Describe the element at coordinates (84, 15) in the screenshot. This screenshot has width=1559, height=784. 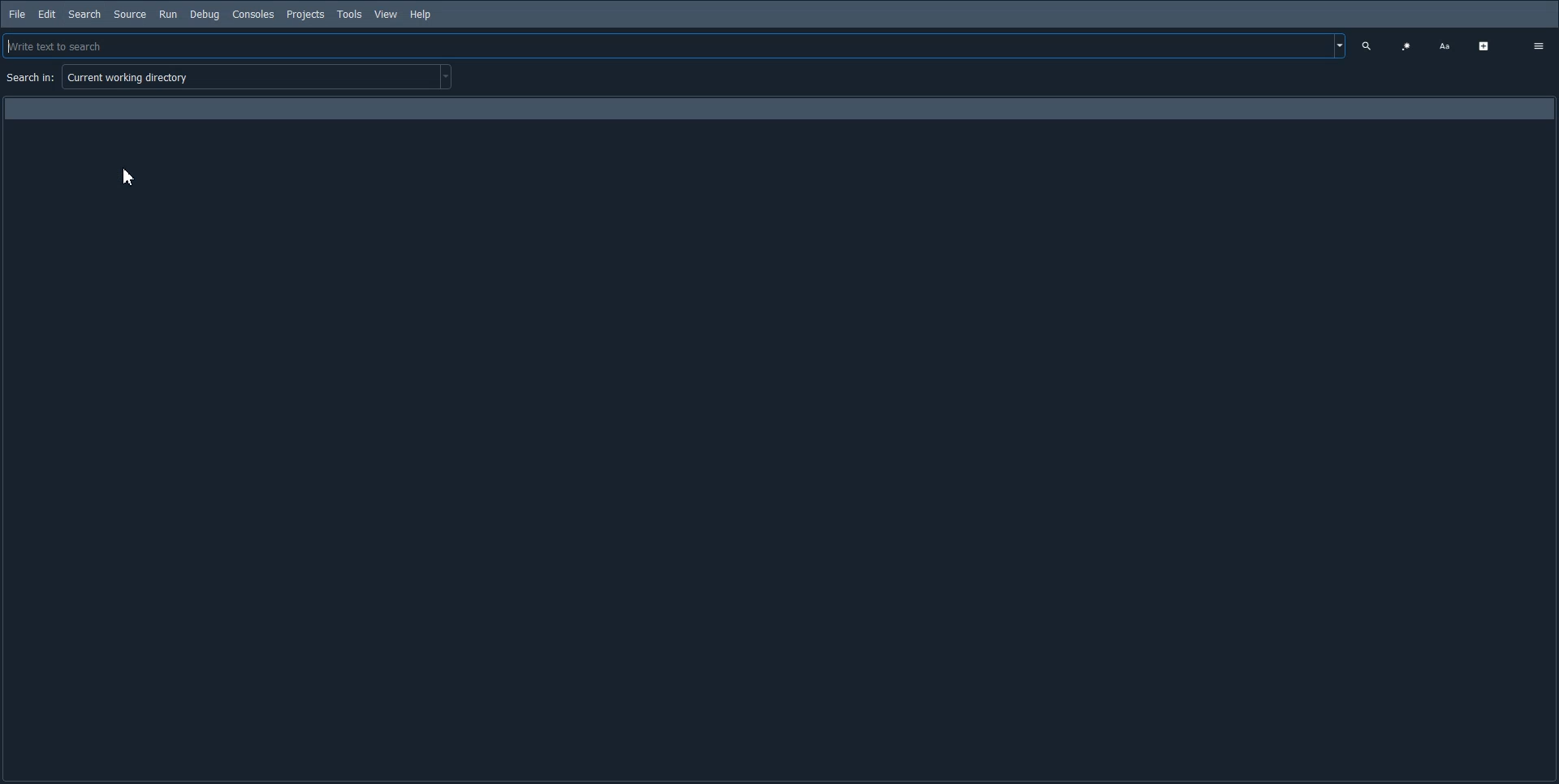
I see `Search` at that location.